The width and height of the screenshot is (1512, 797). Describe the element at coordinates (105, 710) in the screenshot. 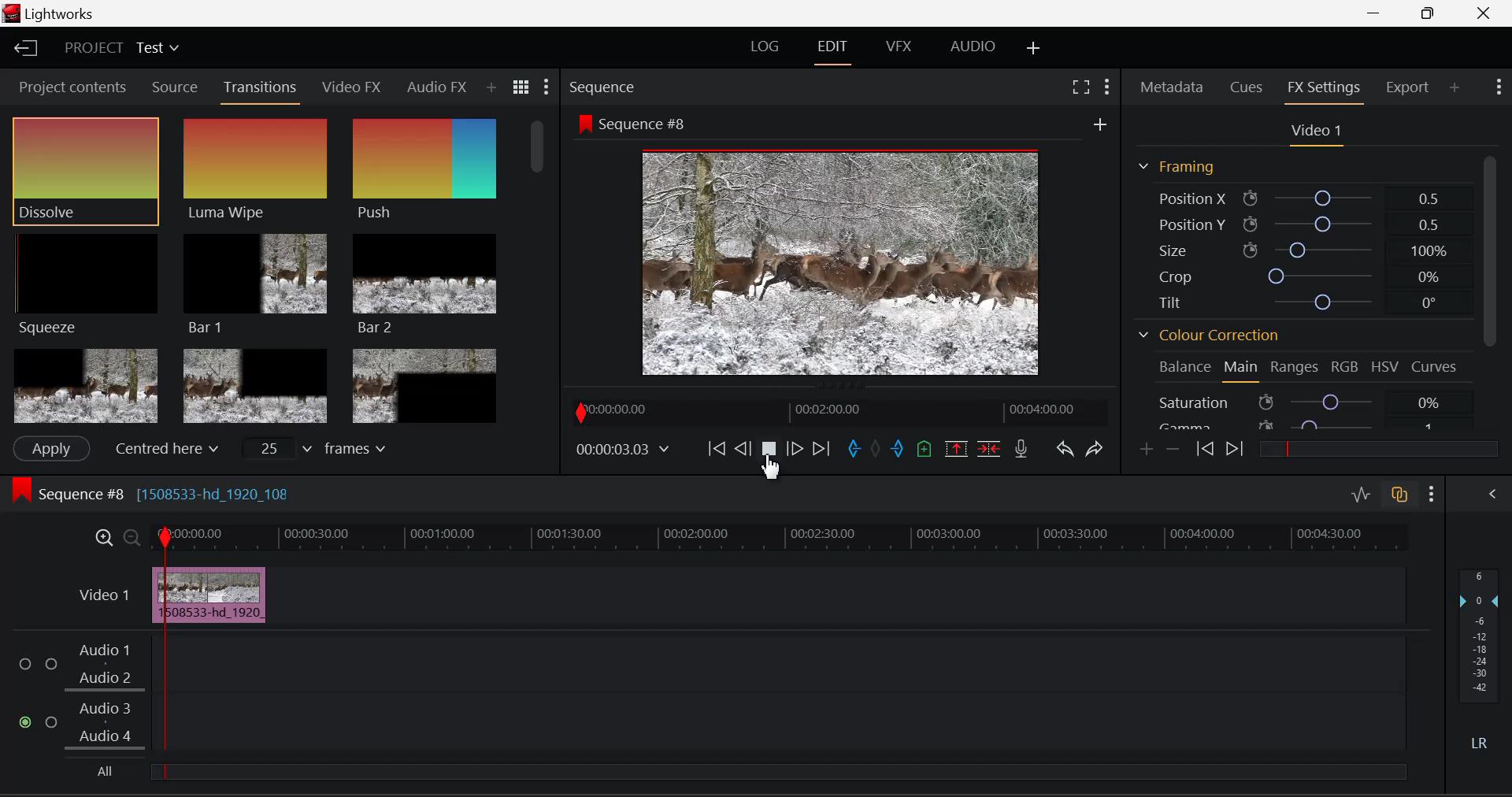

I see `Audio 3` at that location.